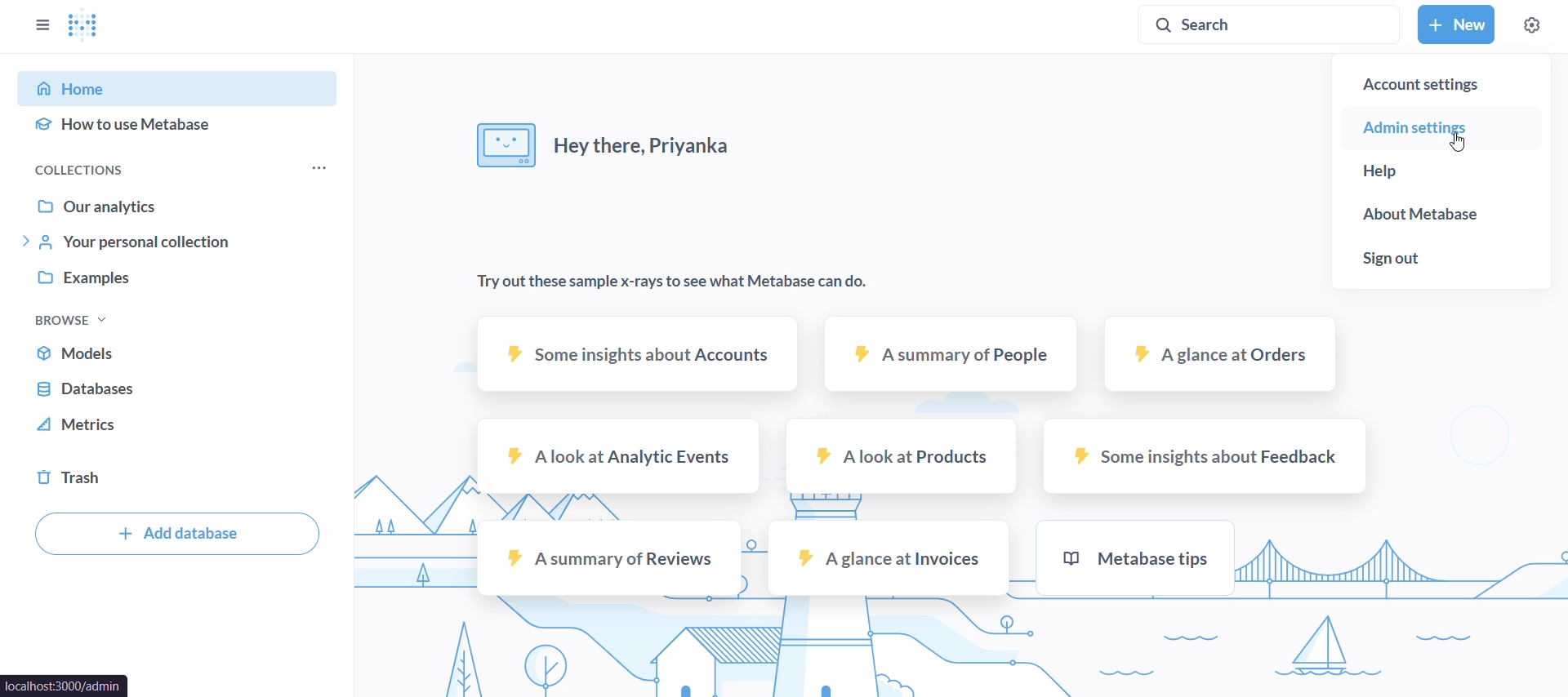 The height and width of the screenshot is (697, 1568). Describe the element at coordinates (609, 559) in the screenshot. I see `a summary of reviews` at that location.